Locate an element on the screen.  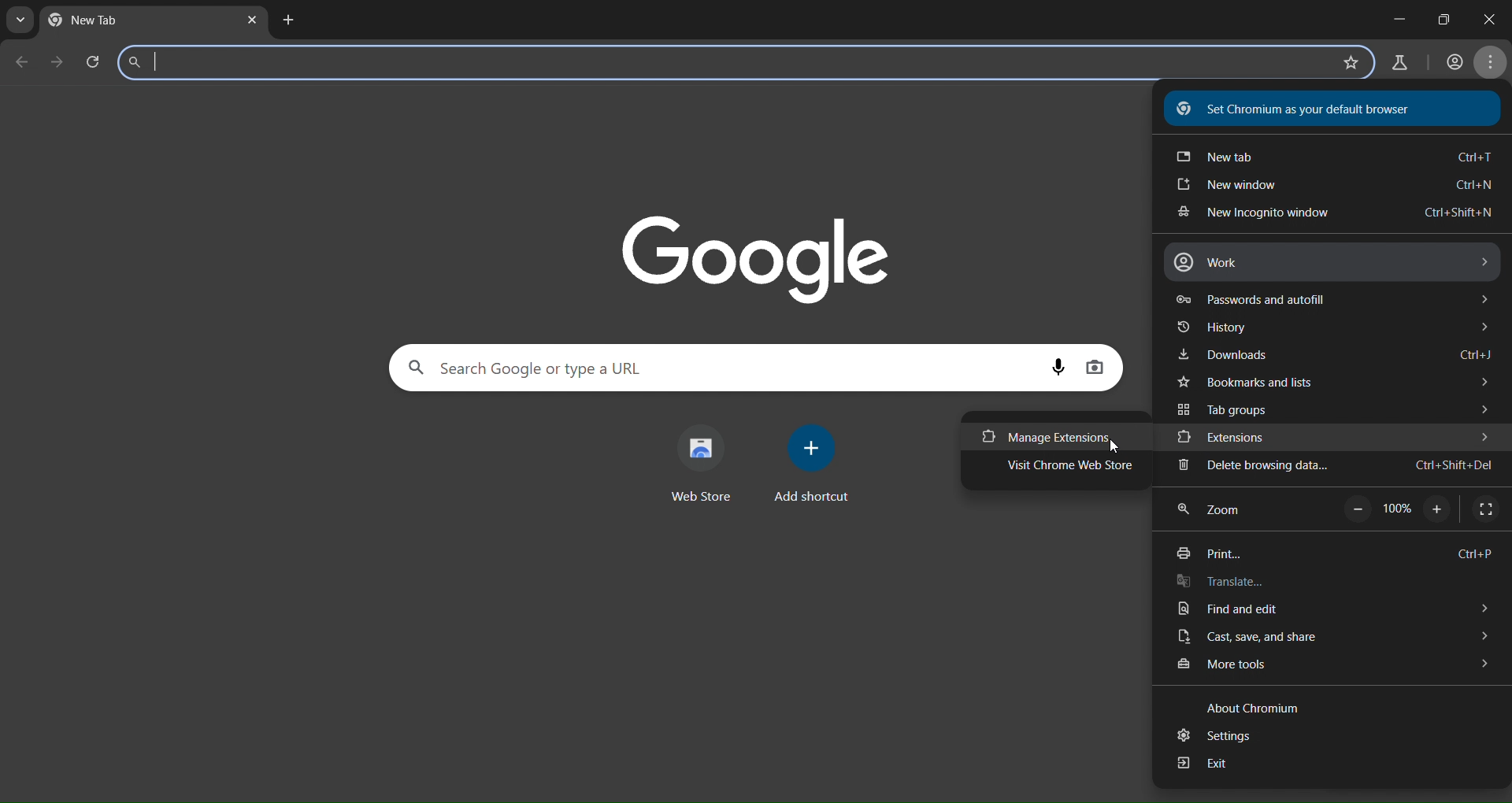
tab groups is located at coordinates (1331, 410).